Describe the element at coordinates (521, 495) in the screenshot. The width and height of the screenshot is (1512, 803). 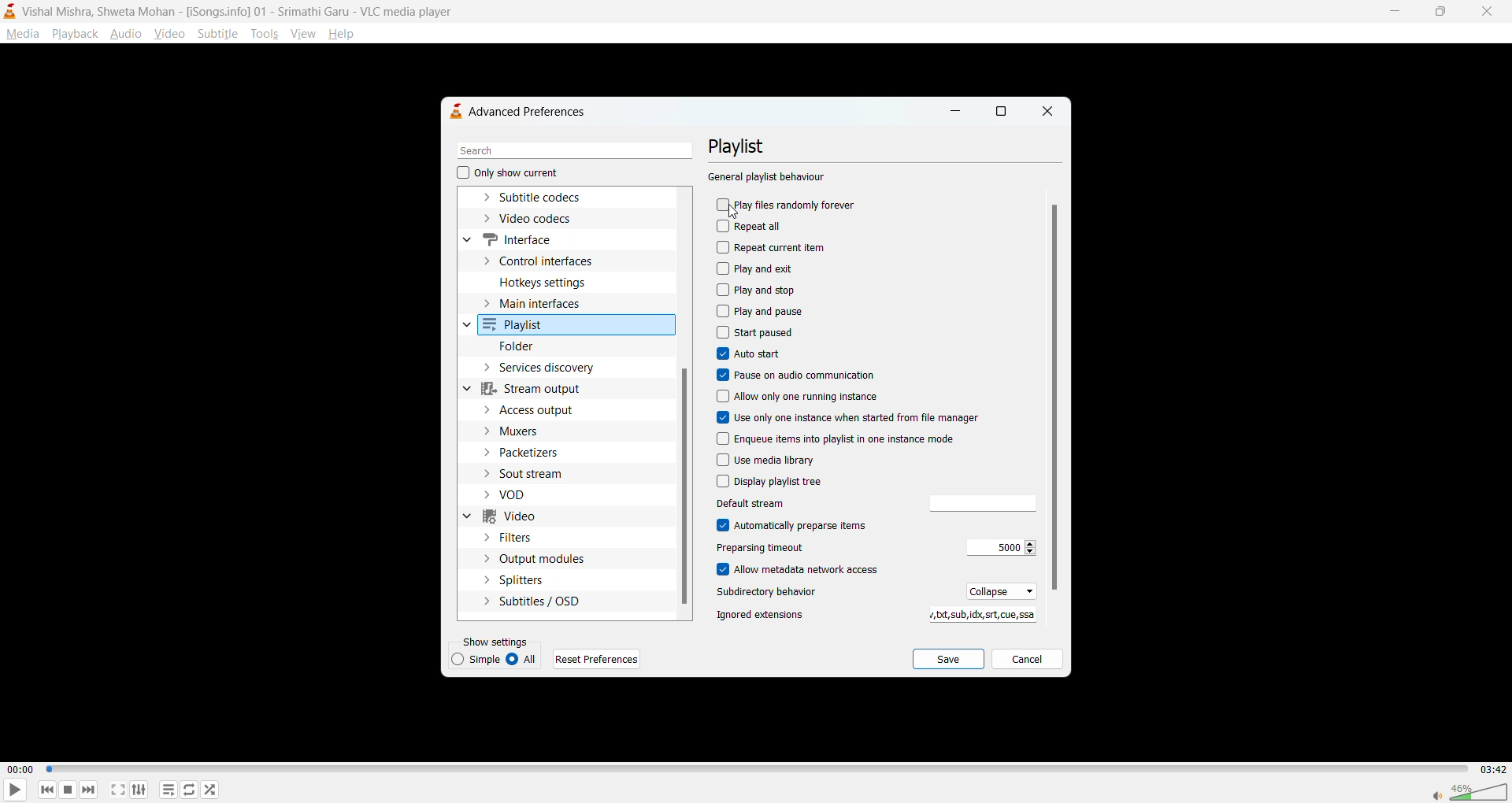
I see `vod` at that location.